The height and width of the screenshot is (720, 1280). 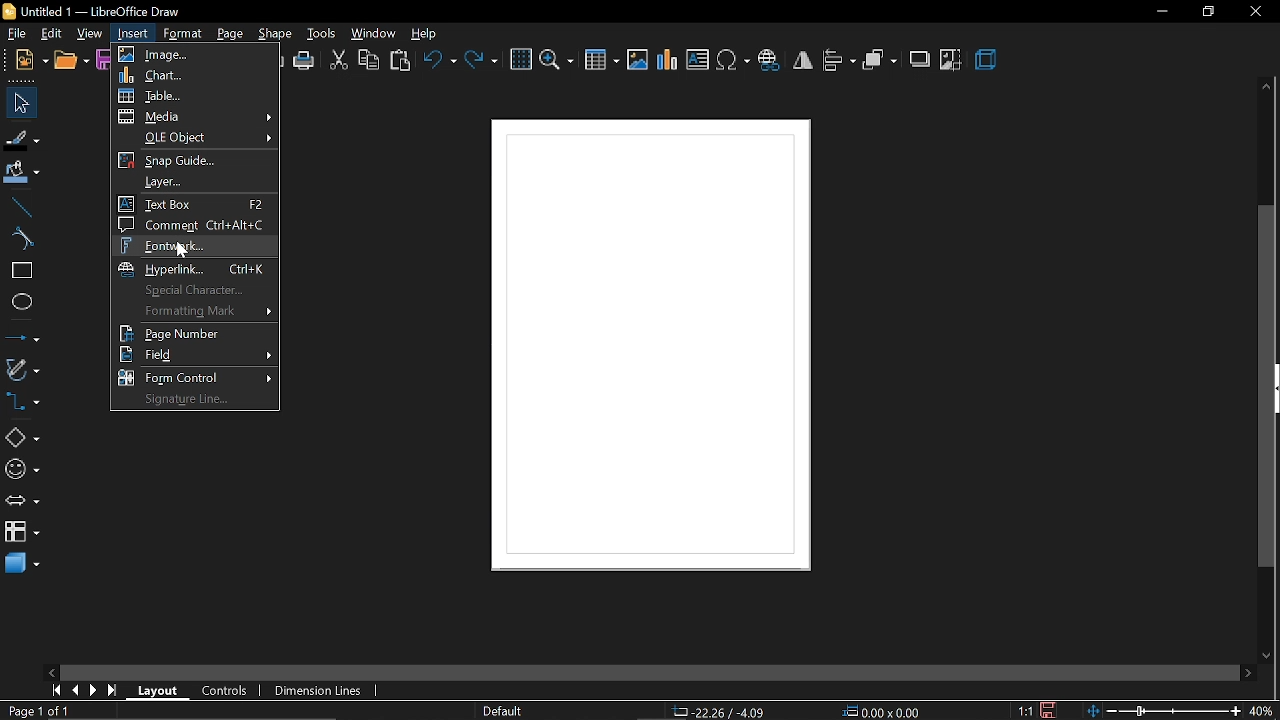 I want to click on fill line, so click(x=23, y=138).